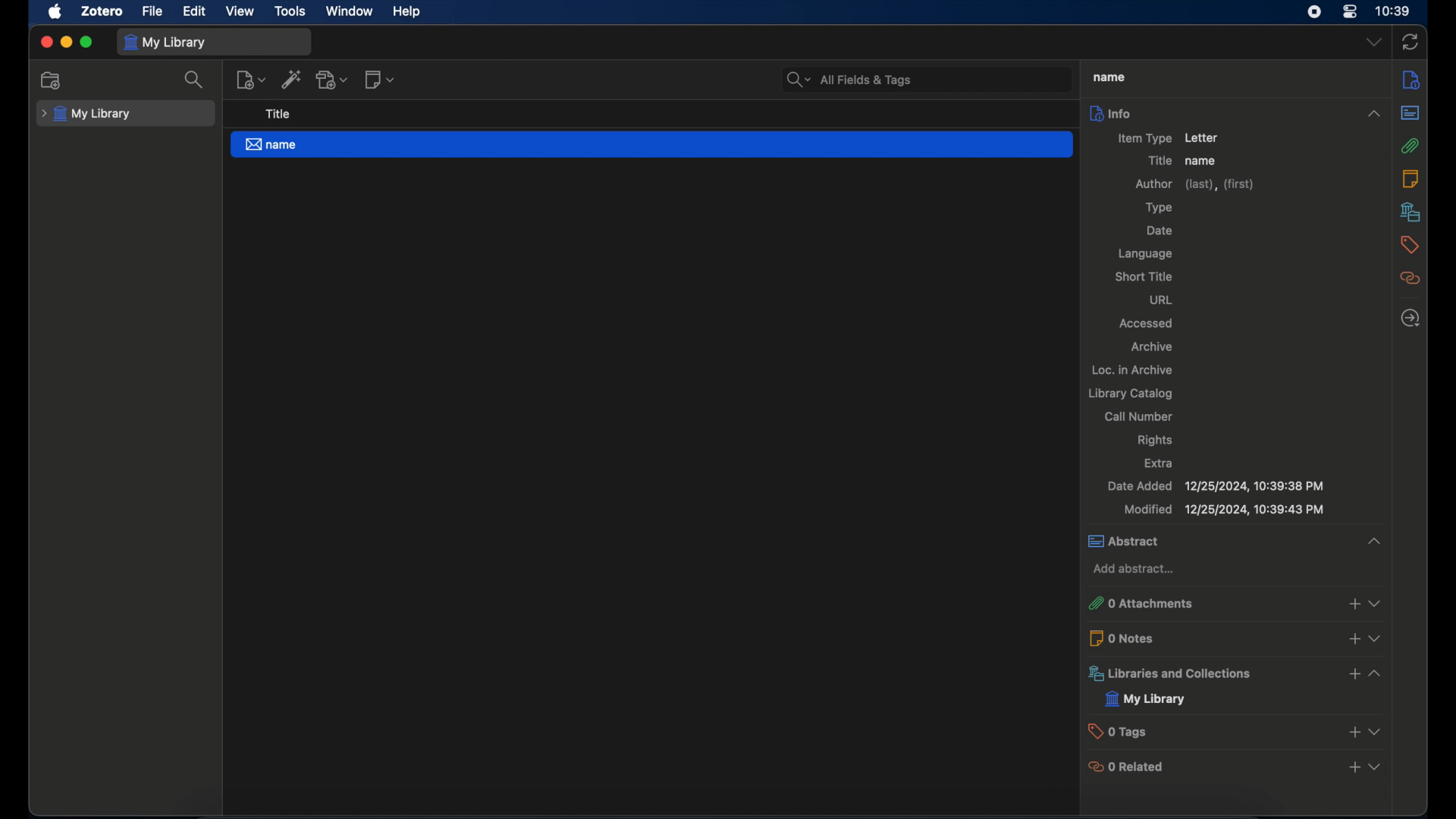  What do you see at coordinates (1151, 347) in the screenshot?
I see `archive` at bounding box center [1151, 347].